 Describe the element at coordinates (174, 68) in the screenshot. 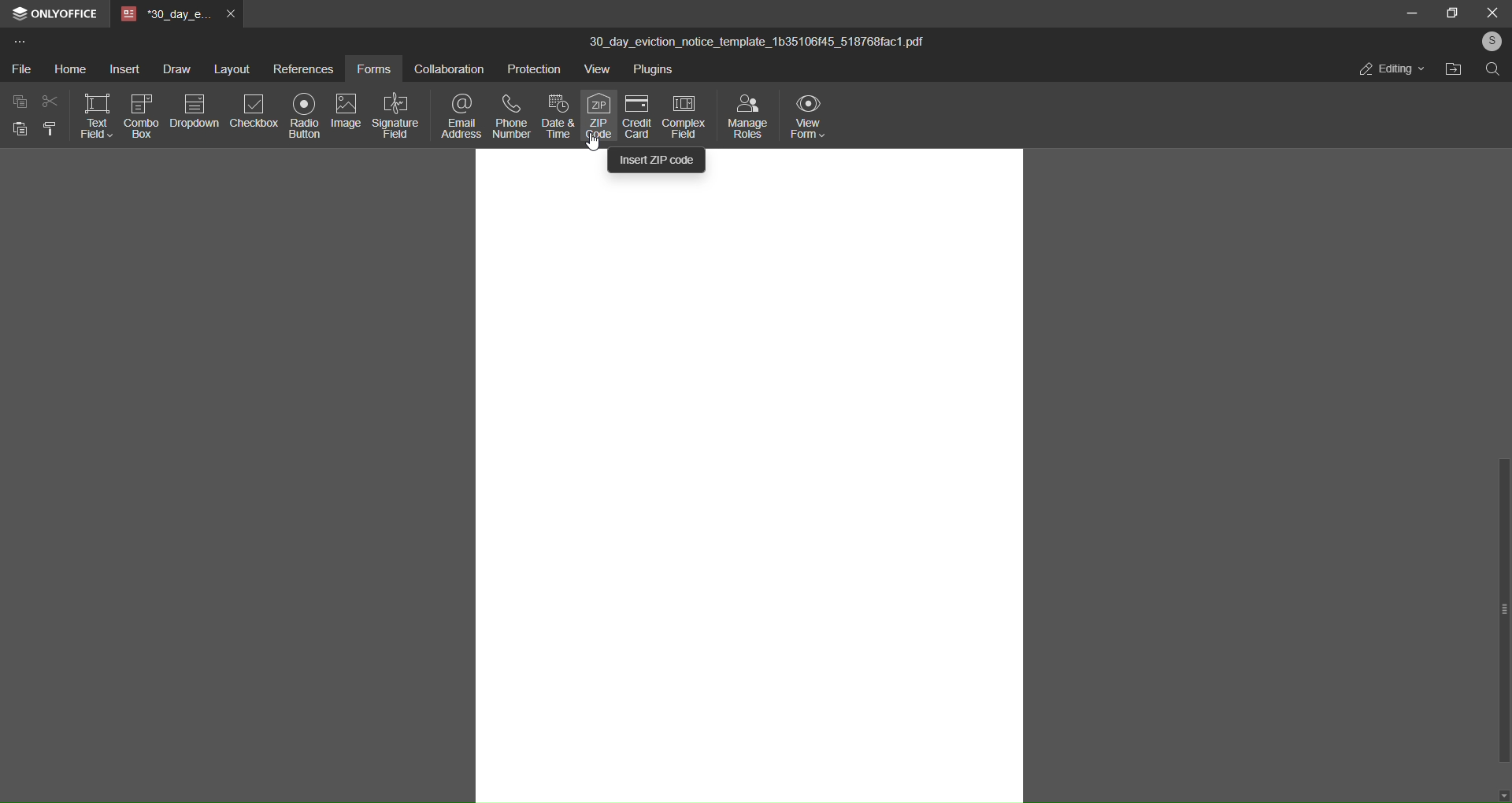

I see `draw` at that location.